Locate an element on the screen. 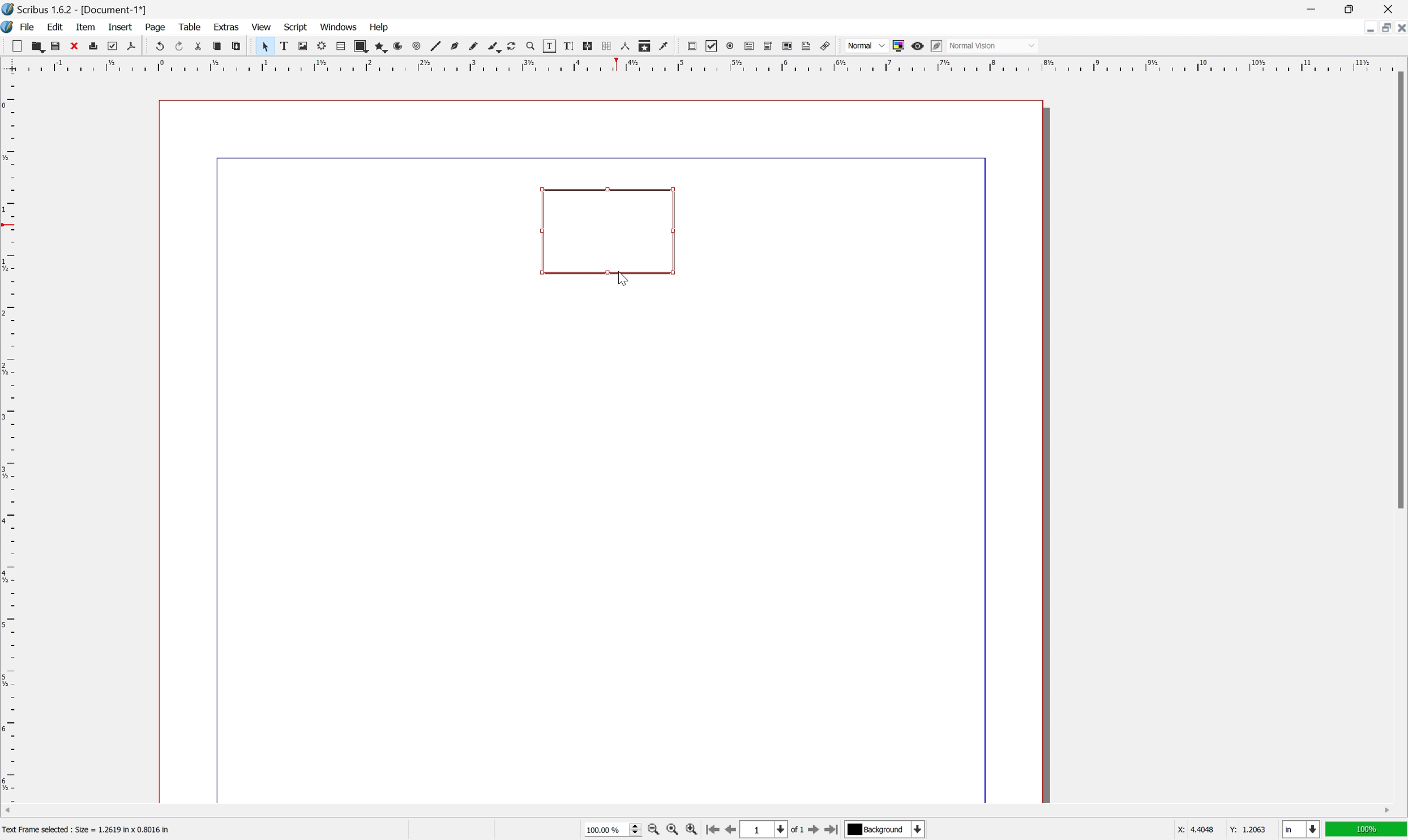  zoom in is located at coordinates (691, 831).